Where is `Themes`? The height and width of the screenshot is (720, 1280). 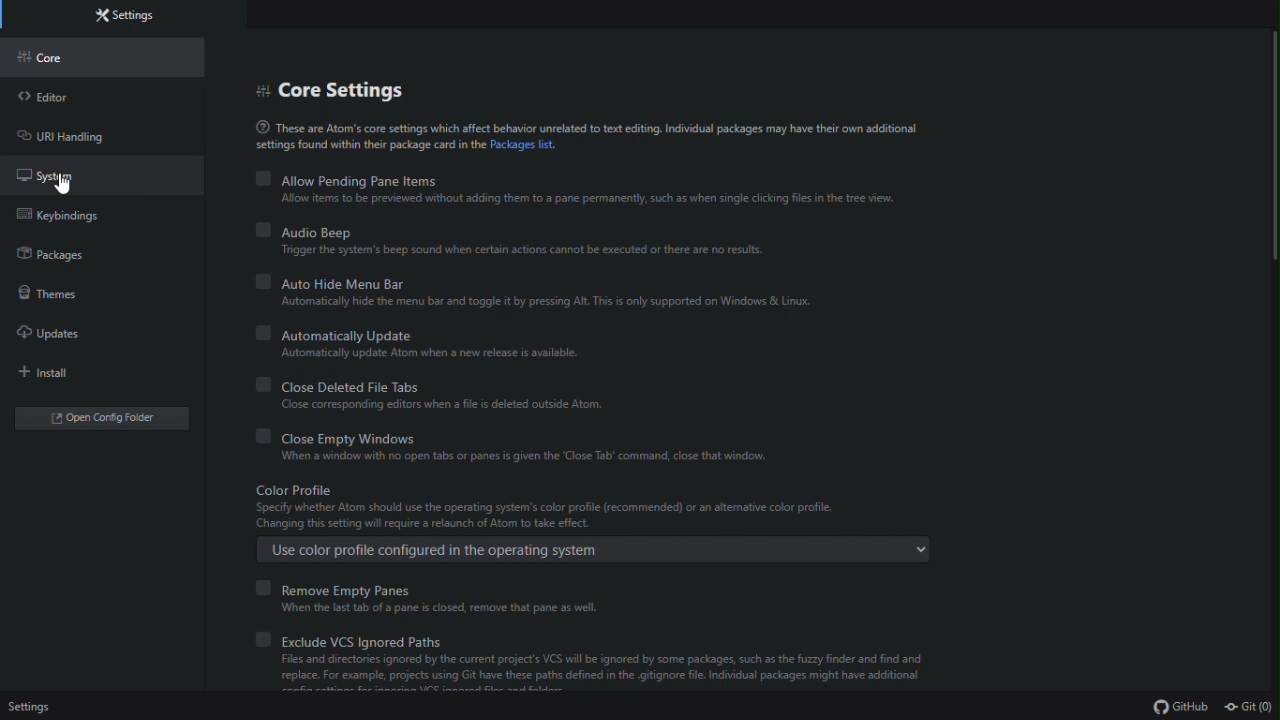 Themes is located at coordinates (106, 293).